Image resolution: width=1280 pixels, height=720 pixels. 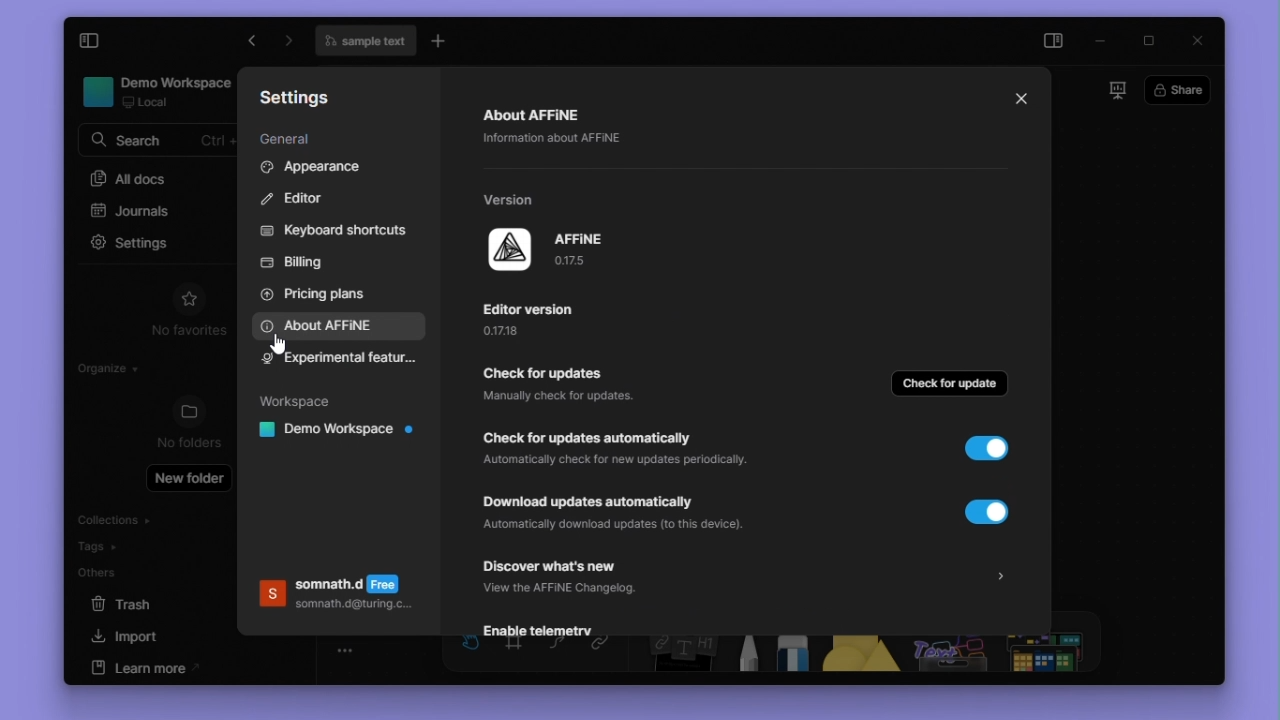 What do you see at coordinates (295, 139) in the screenshot?
I see `General` at bounding box center [295, 139].